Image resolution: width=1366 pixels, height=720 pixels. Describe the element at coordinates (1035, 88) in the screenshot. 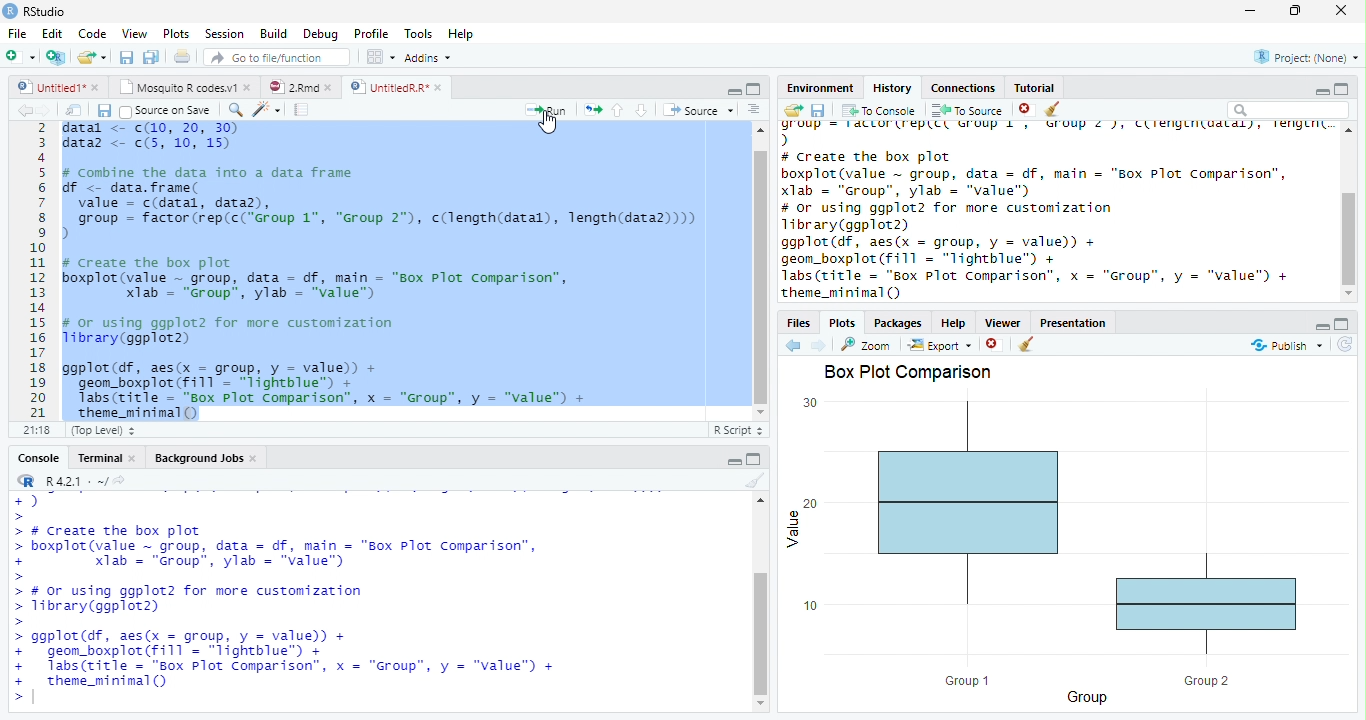

I see `Tutorial` at that location.